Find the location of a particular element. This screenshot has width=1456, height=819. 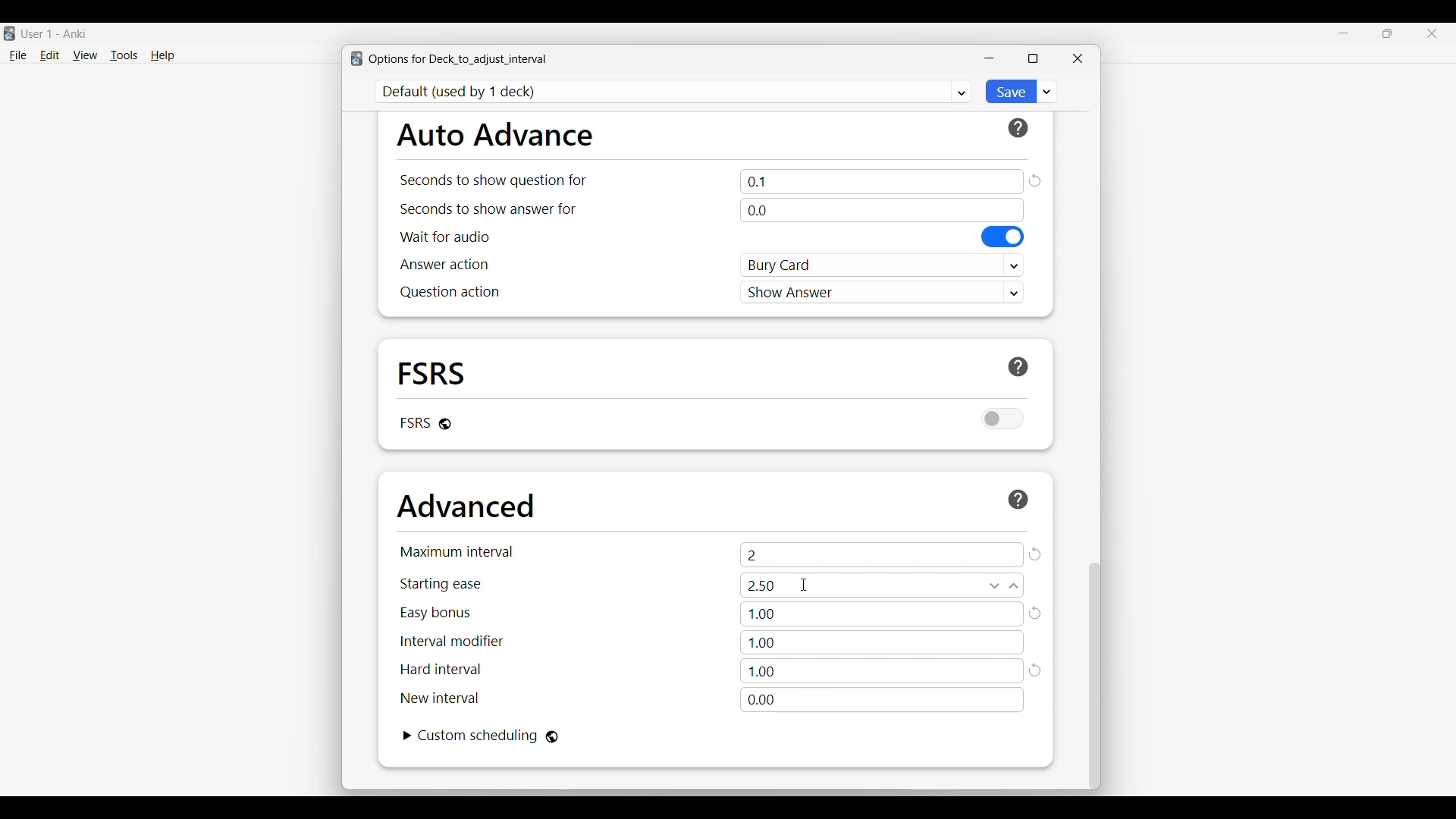

Window title is located at coordinates (458, 59).